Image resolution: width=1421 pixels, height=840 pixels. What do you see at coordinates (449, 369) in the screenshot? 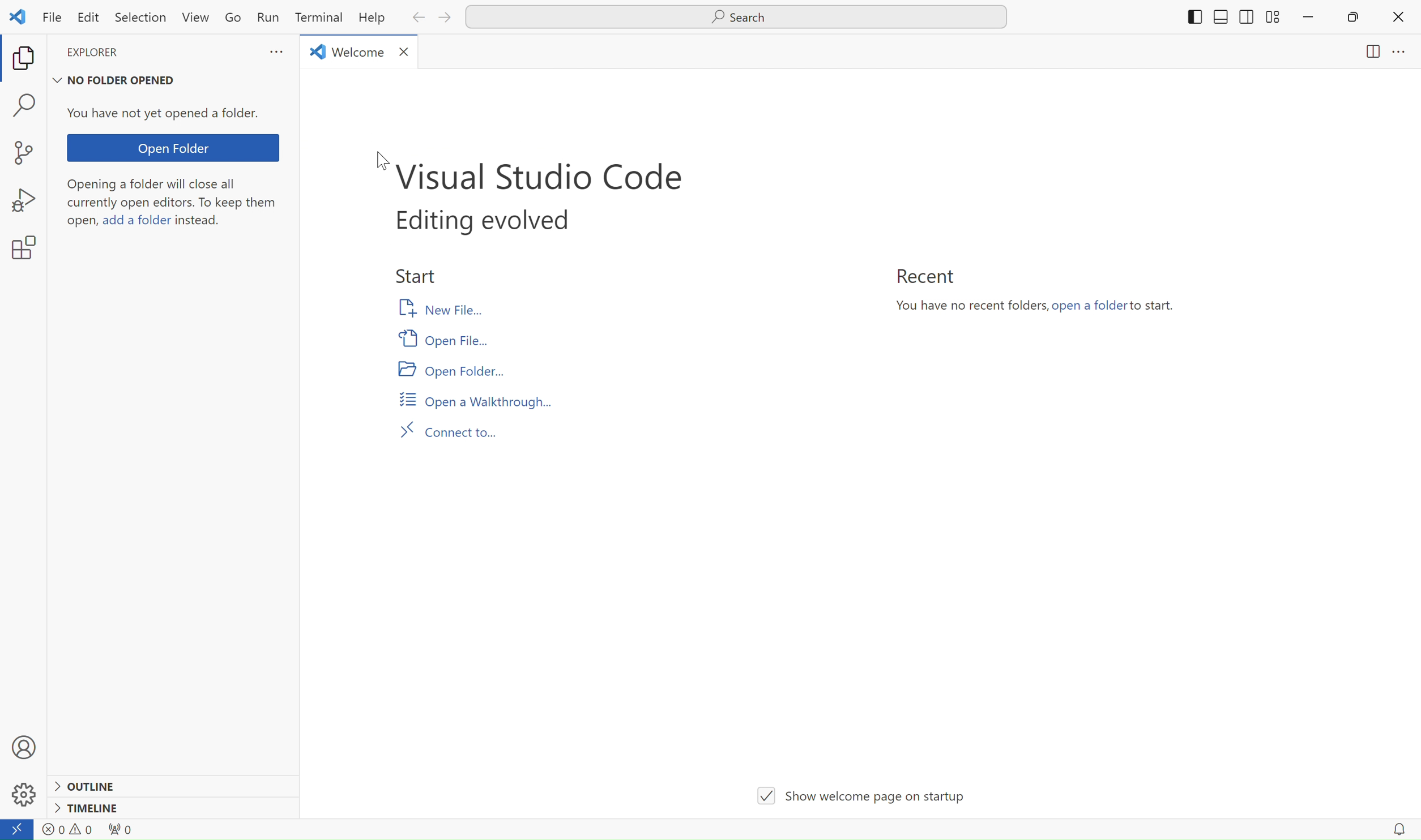
I see `Open folder` at bounding box center [449, 369].